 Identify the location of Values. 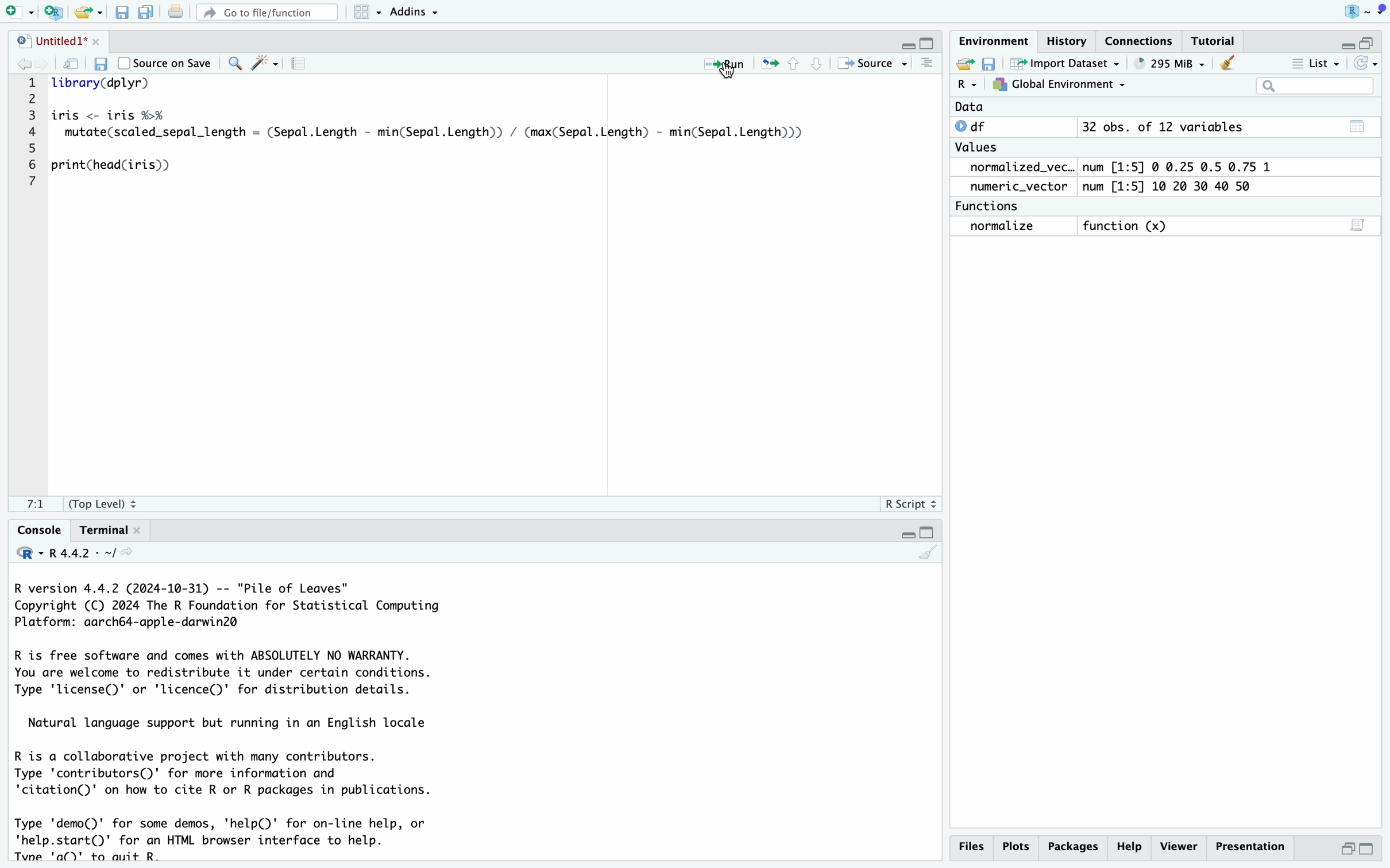
(976, 150).